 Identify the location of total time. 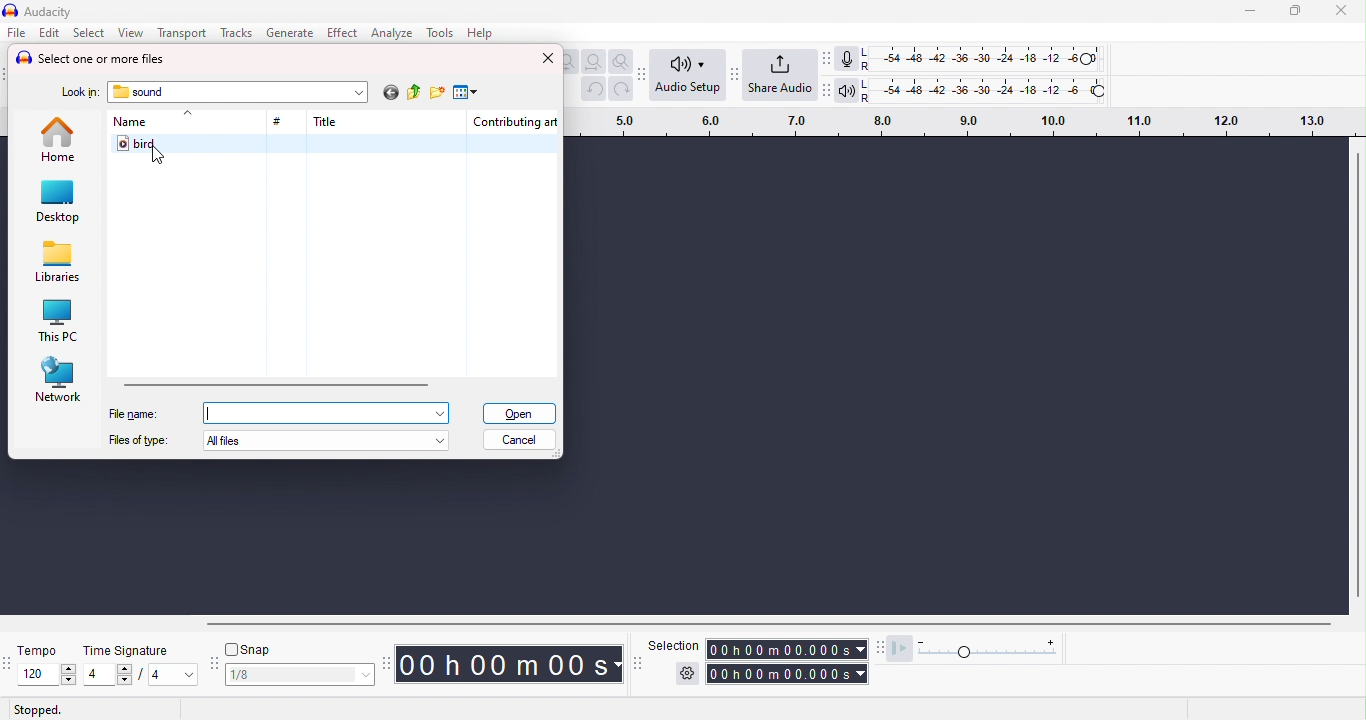
(789, 674).